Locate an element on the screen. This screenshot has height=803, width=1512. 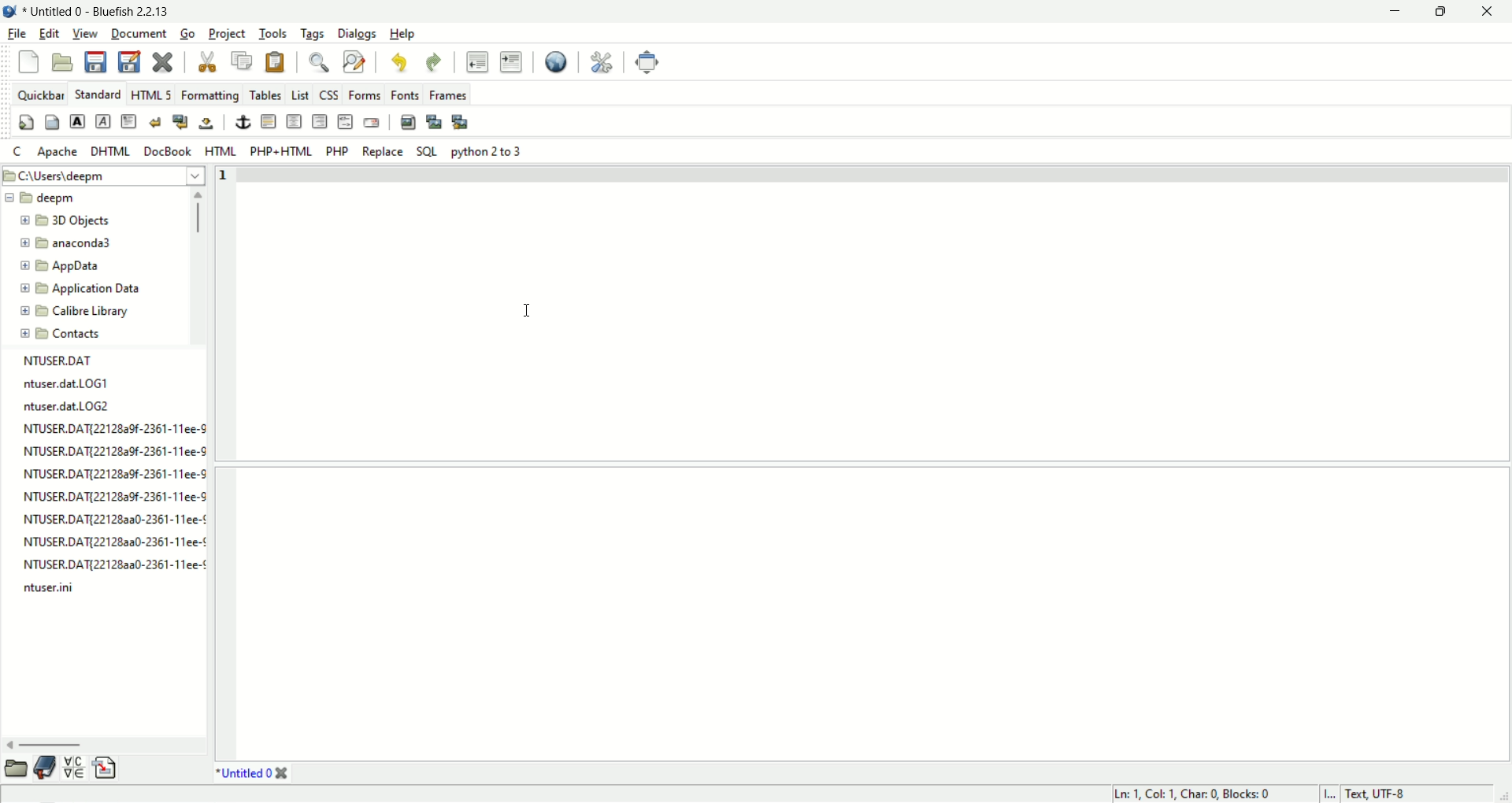
file path is located at coordinates (103, 176).